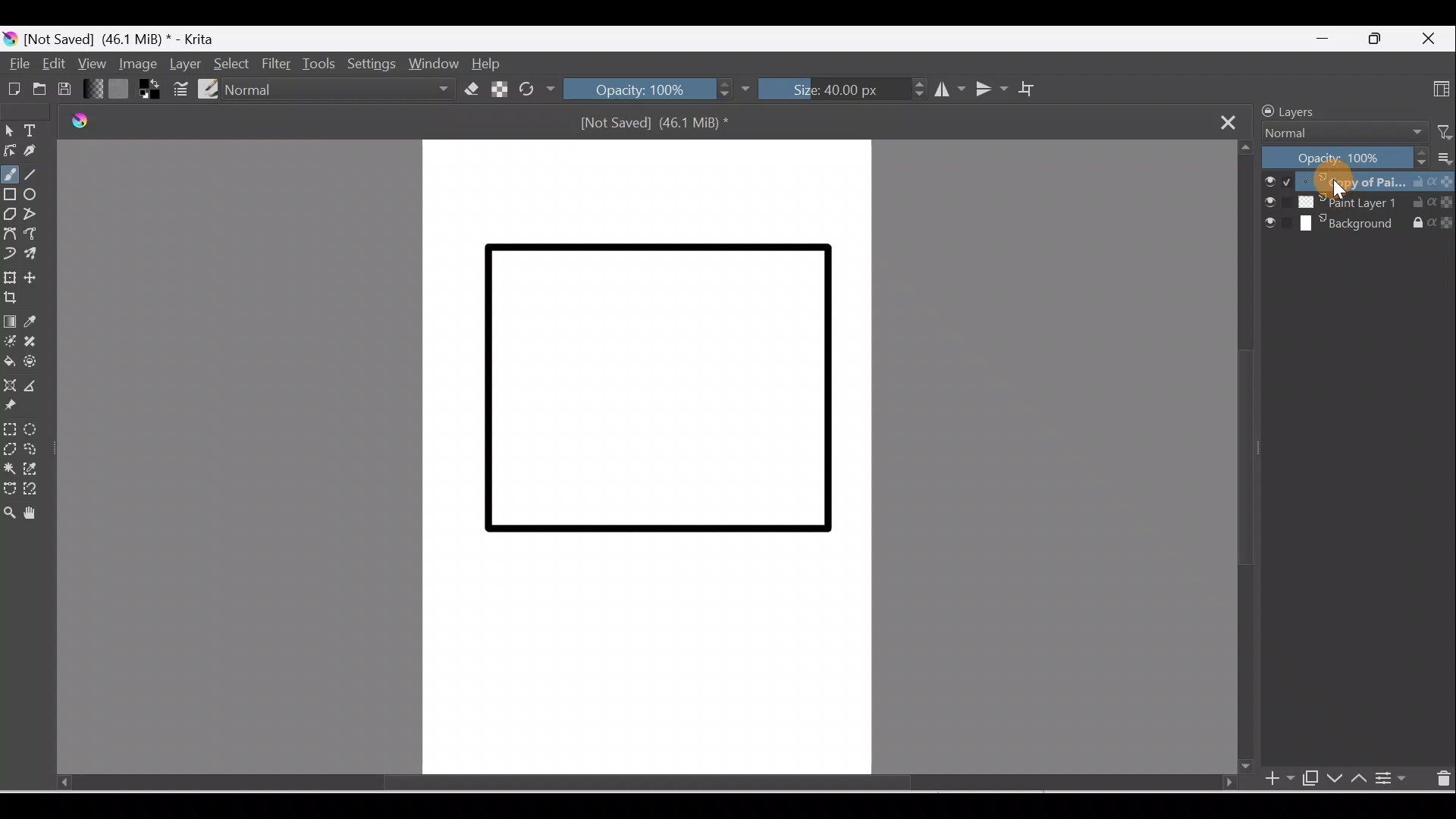 Image resolution: width=1456 pixels, height=819 pixels. Describe the element at coordinates (1439, 91) in the screenshot. I see `Choose workspace` at that location.